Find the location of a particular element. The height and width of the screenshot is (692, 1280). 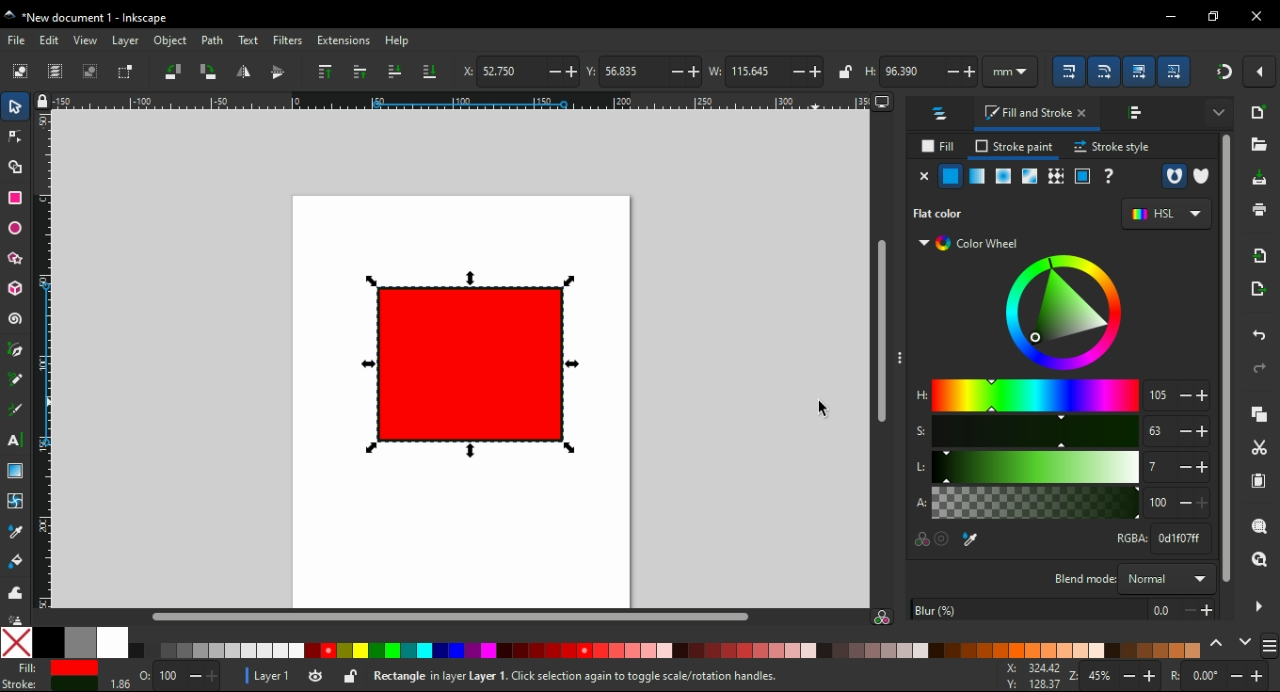

fill is located at coordinates (937, 146).